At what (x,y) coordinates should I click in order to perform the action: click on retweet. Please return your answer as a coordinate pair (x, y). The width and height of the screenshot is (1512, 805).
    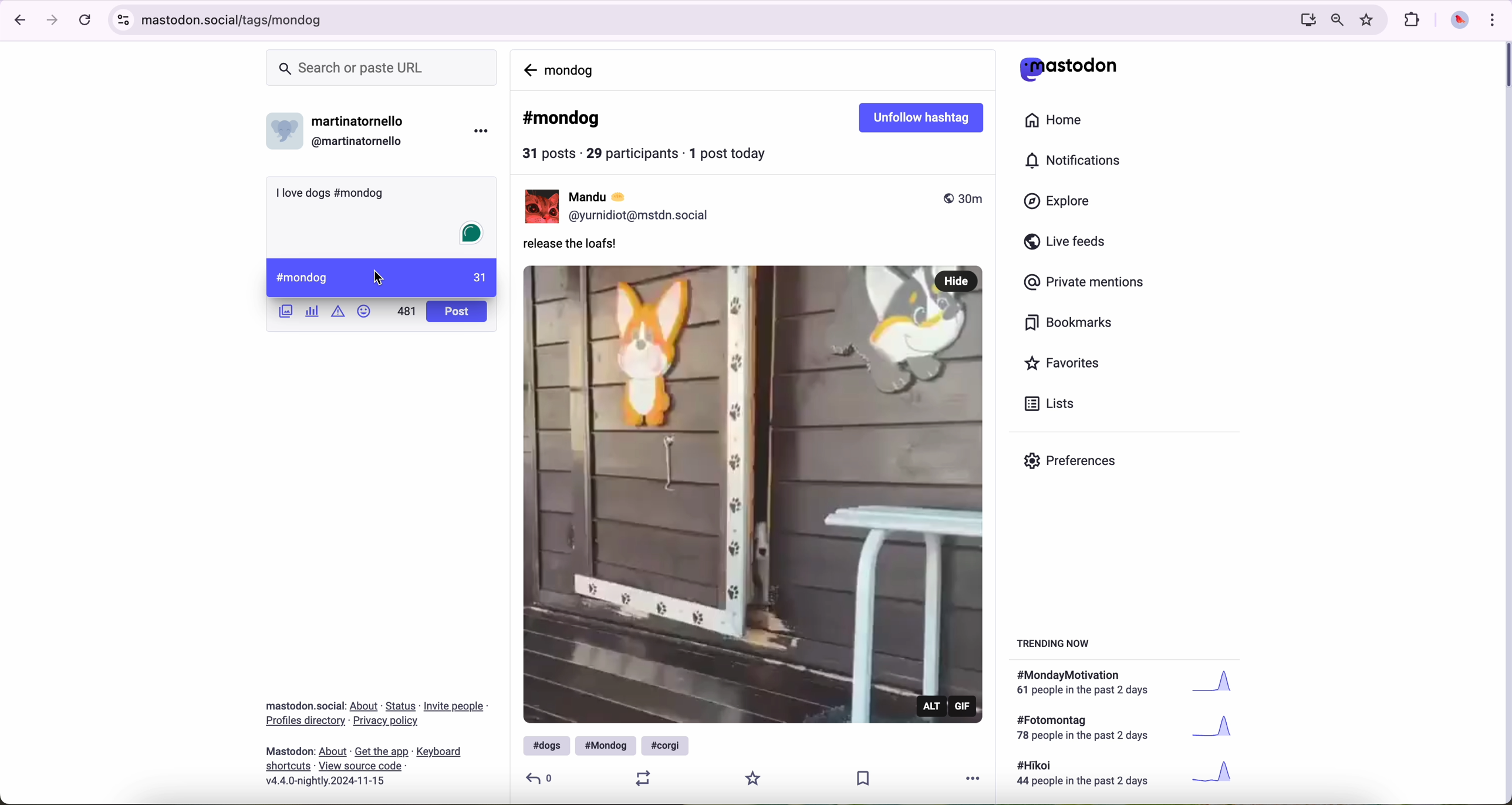
    Looking at the image, I should click on (640, 777).